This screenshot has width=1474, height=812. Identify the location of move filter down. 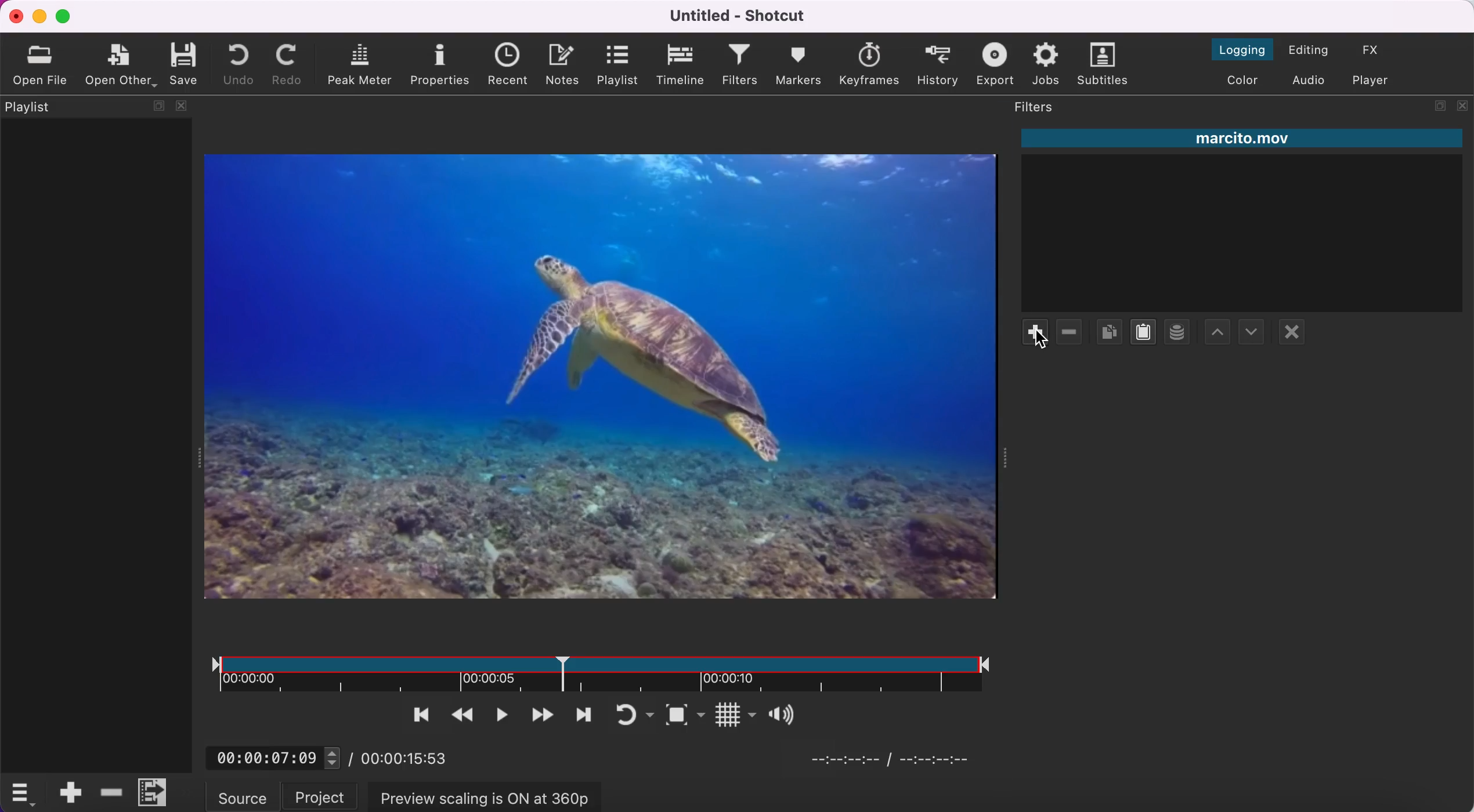
(1216, 333).